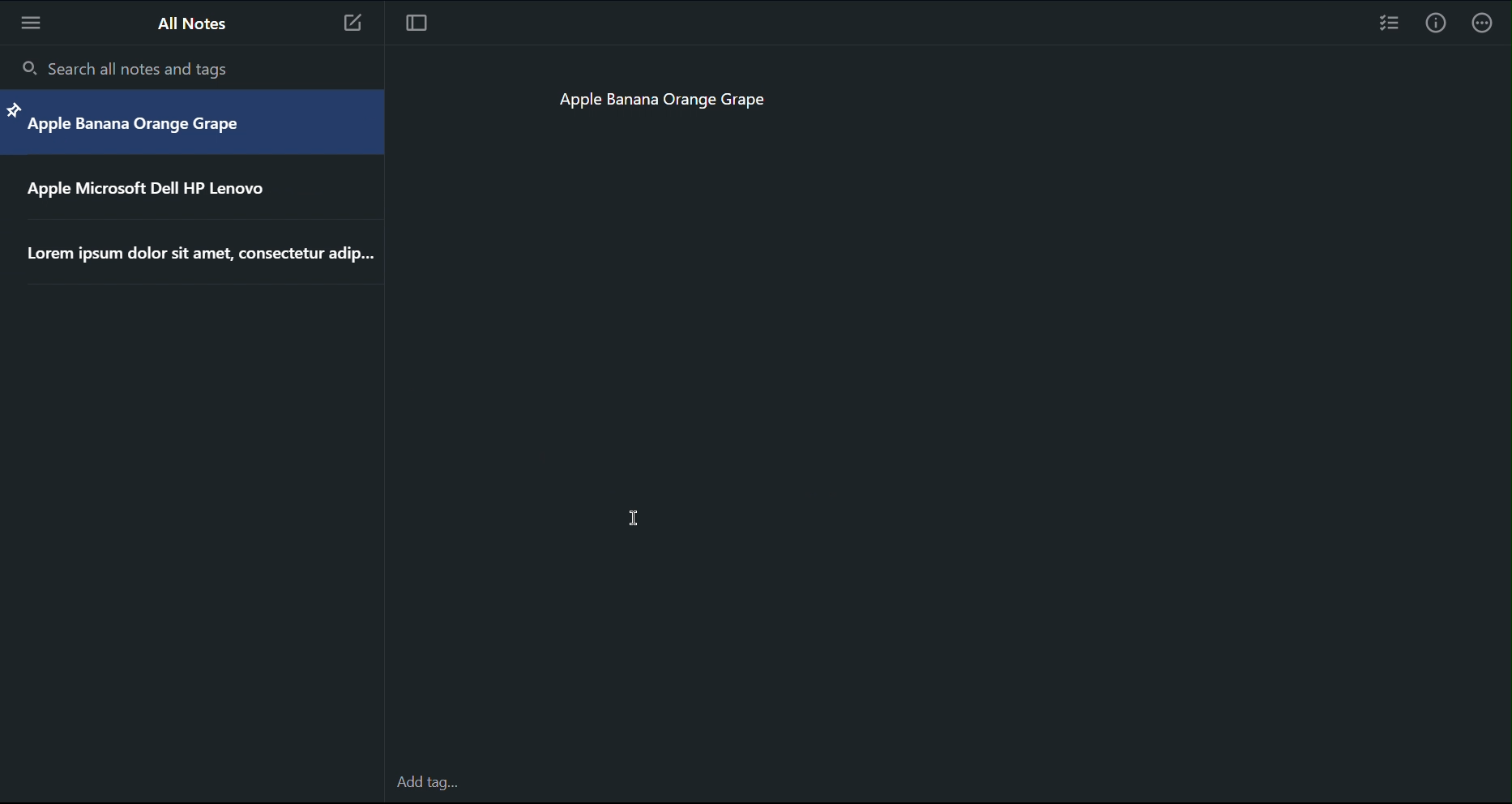 The height and width of the screenshot is (804, 1512). I want to click on Info, so click(1437, 21).